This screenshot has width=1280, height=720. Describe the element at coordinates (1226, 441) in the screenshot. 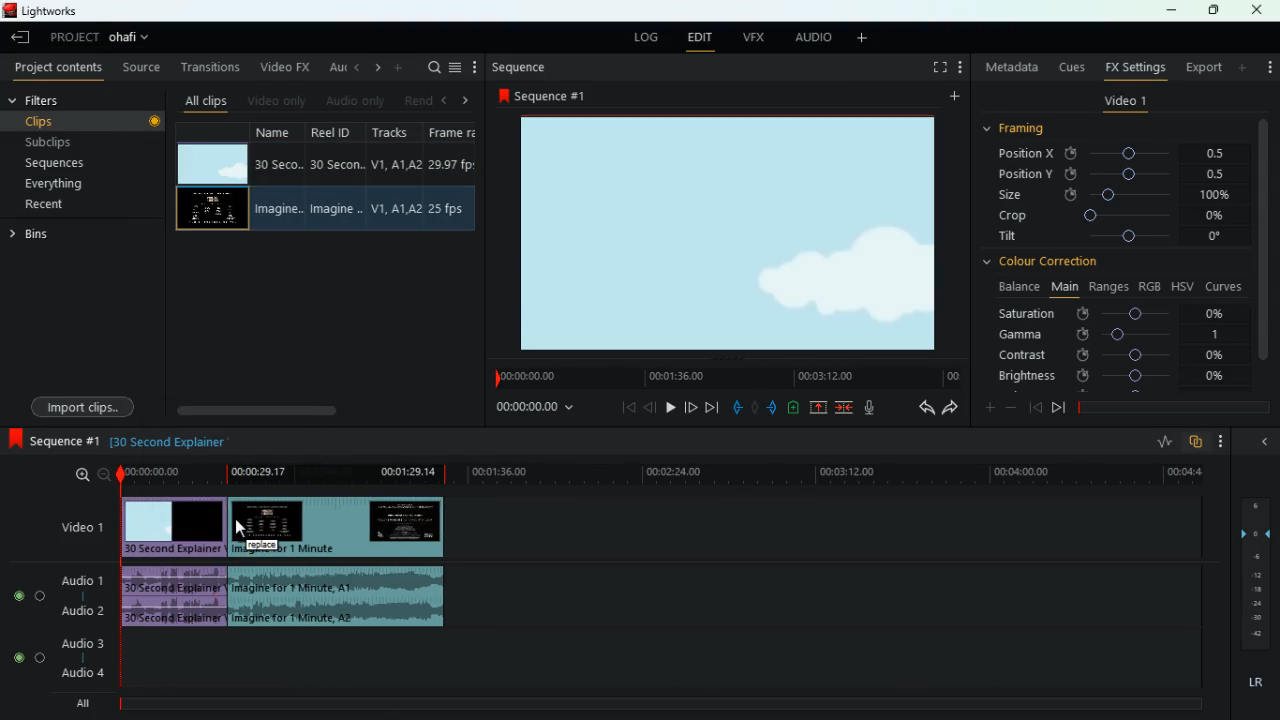

I see `more` at that location.